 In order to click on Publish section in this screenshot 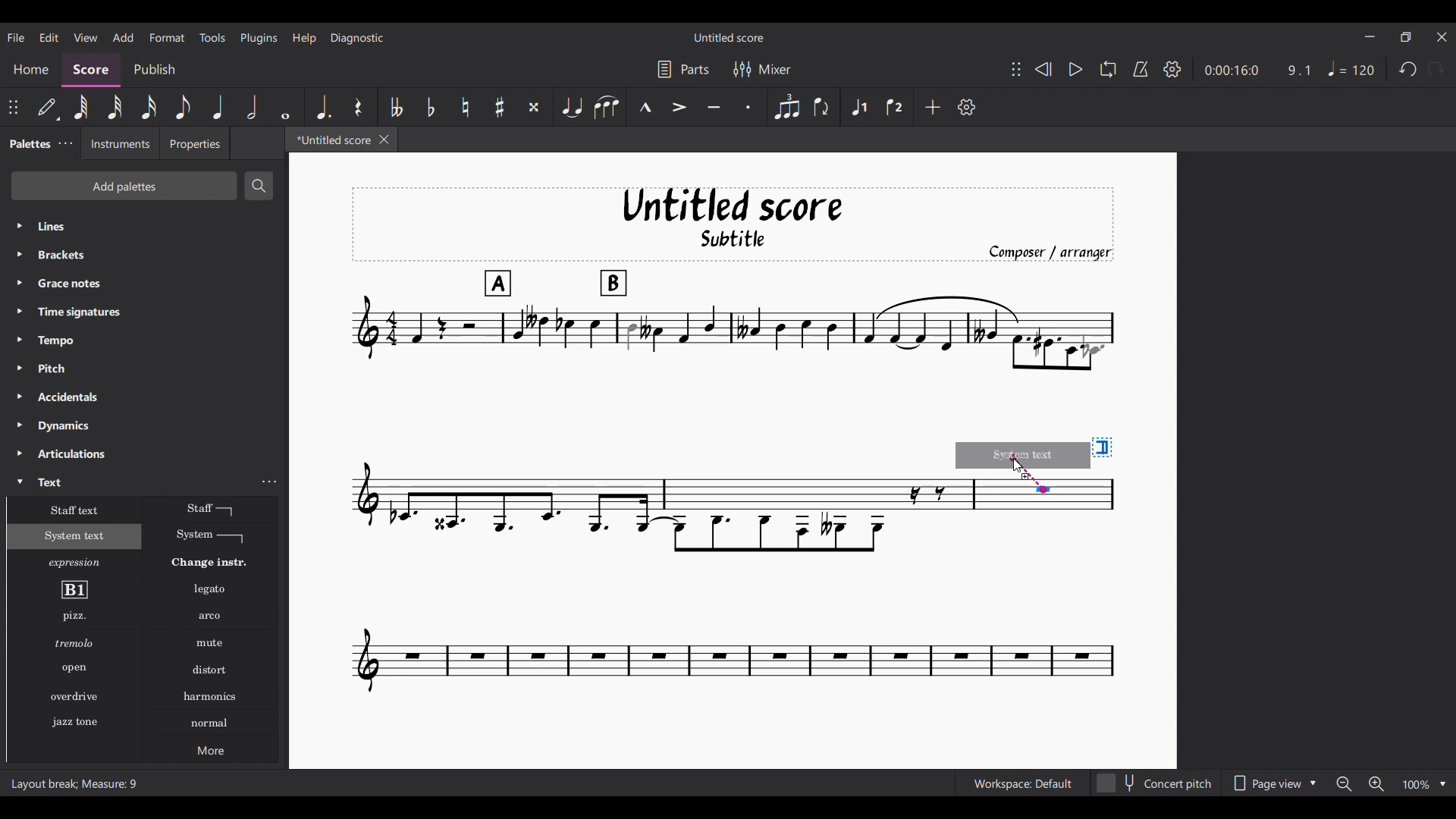, I will do `click(154, 70)`.